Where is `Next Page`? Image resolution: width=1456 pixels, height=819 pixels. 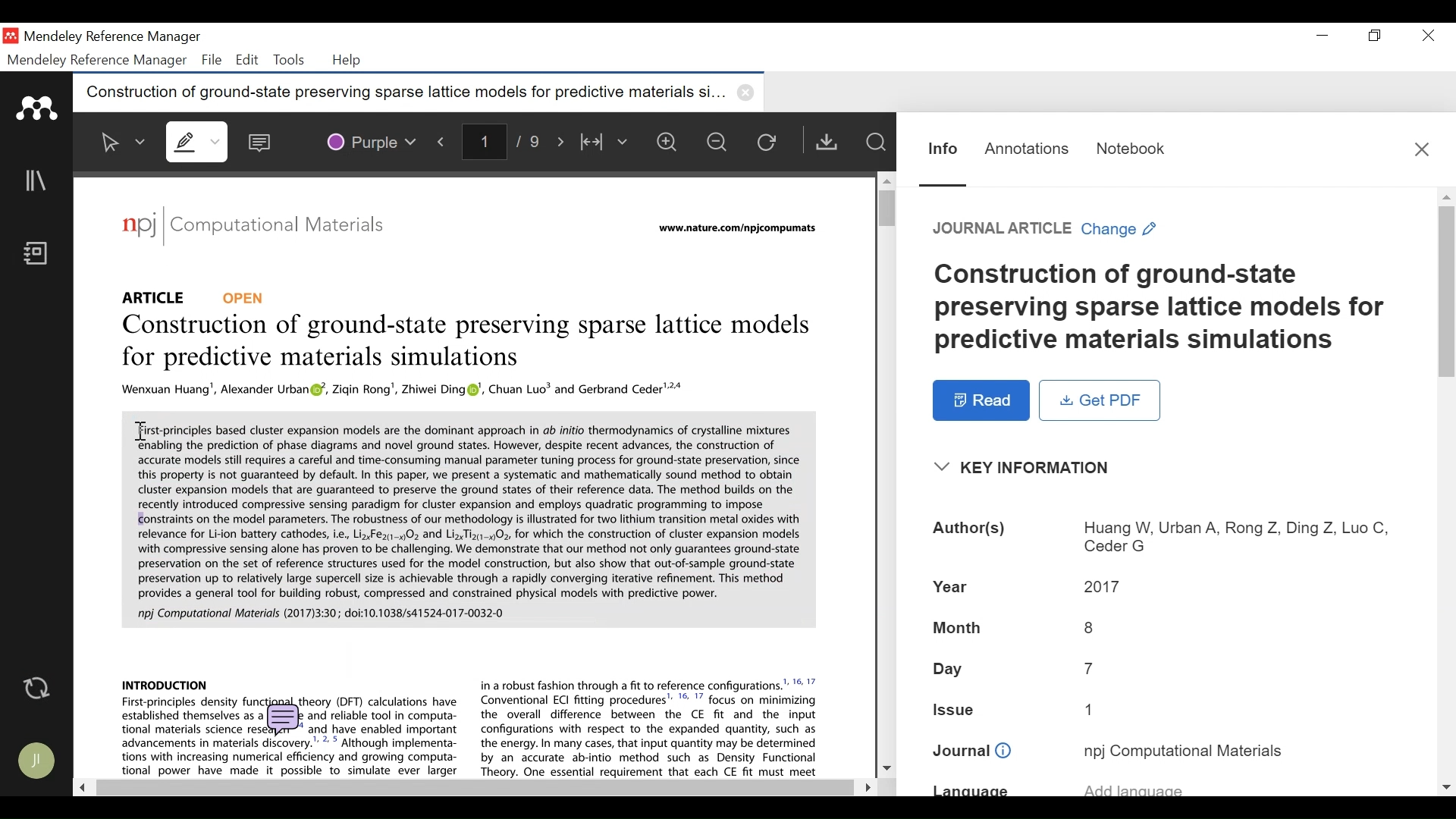
Next Page is located at coordinates (563, 140).